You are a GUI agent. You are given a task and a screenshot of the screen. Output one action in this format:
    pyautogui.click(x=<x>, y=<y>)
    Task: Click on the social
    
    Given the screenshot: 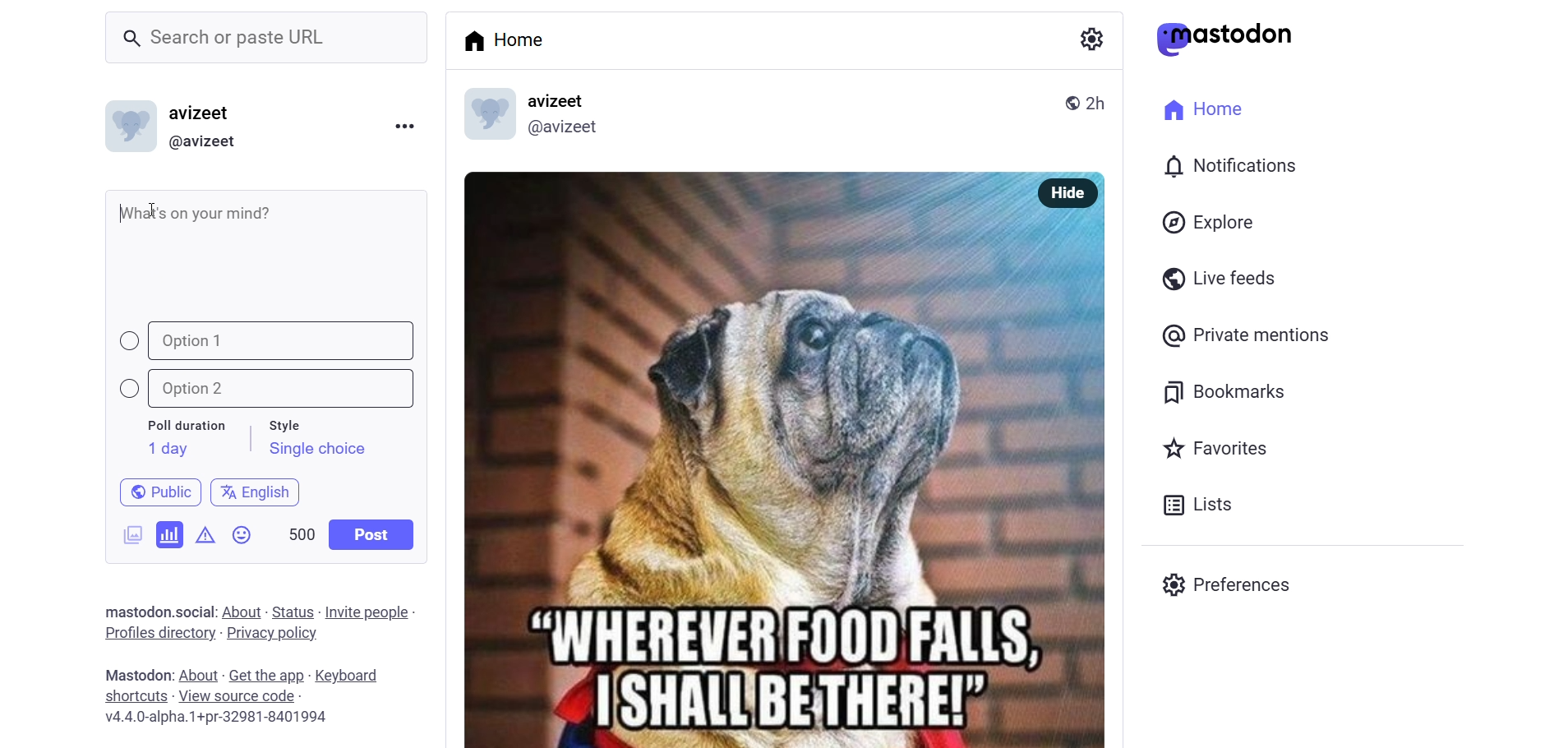 What is the action you would take?
    pyautogui.click(x=192, y=612)
    